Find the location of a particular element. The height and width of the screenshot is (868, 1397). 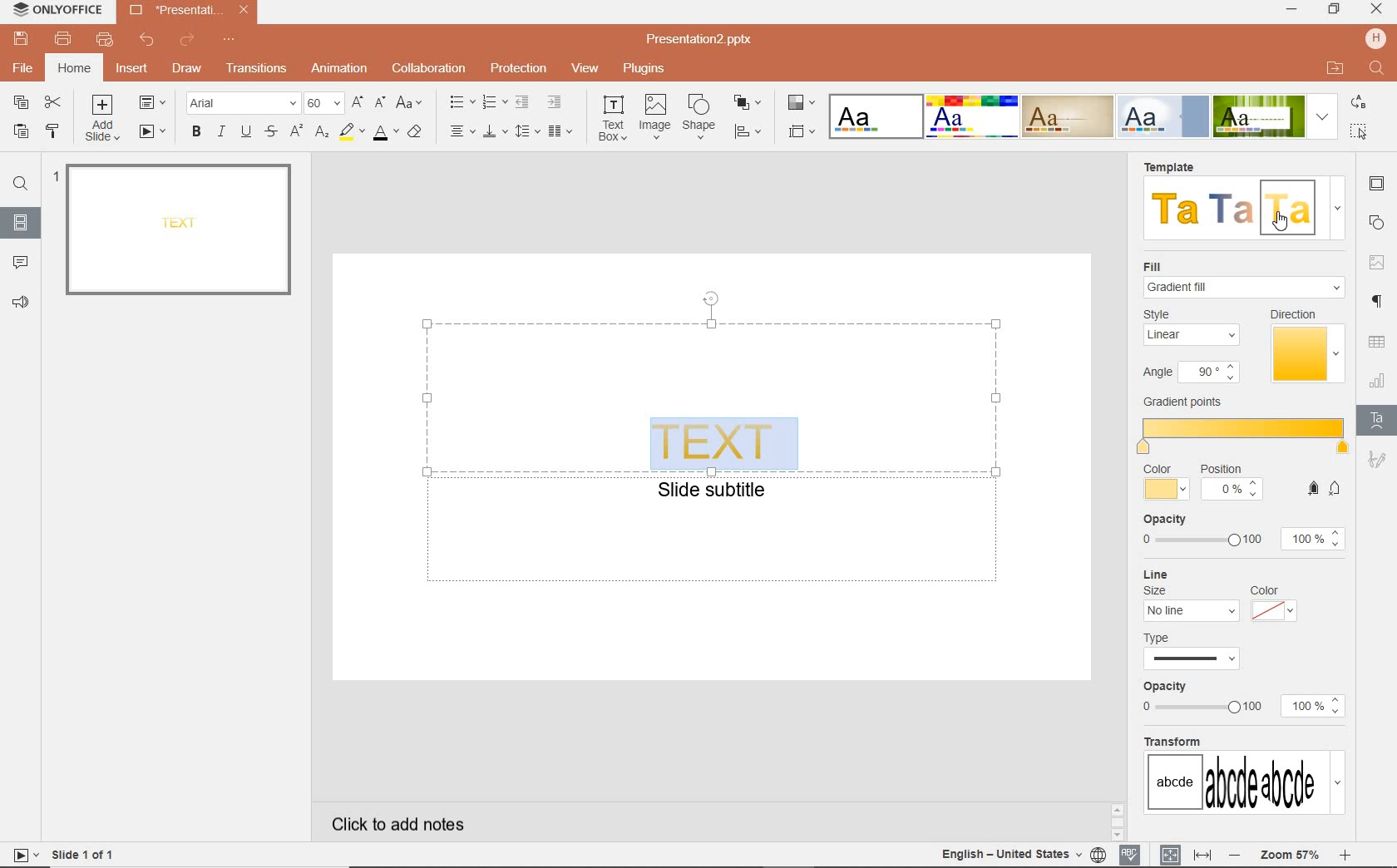

TET ART is located at coordinates (1376, 418).